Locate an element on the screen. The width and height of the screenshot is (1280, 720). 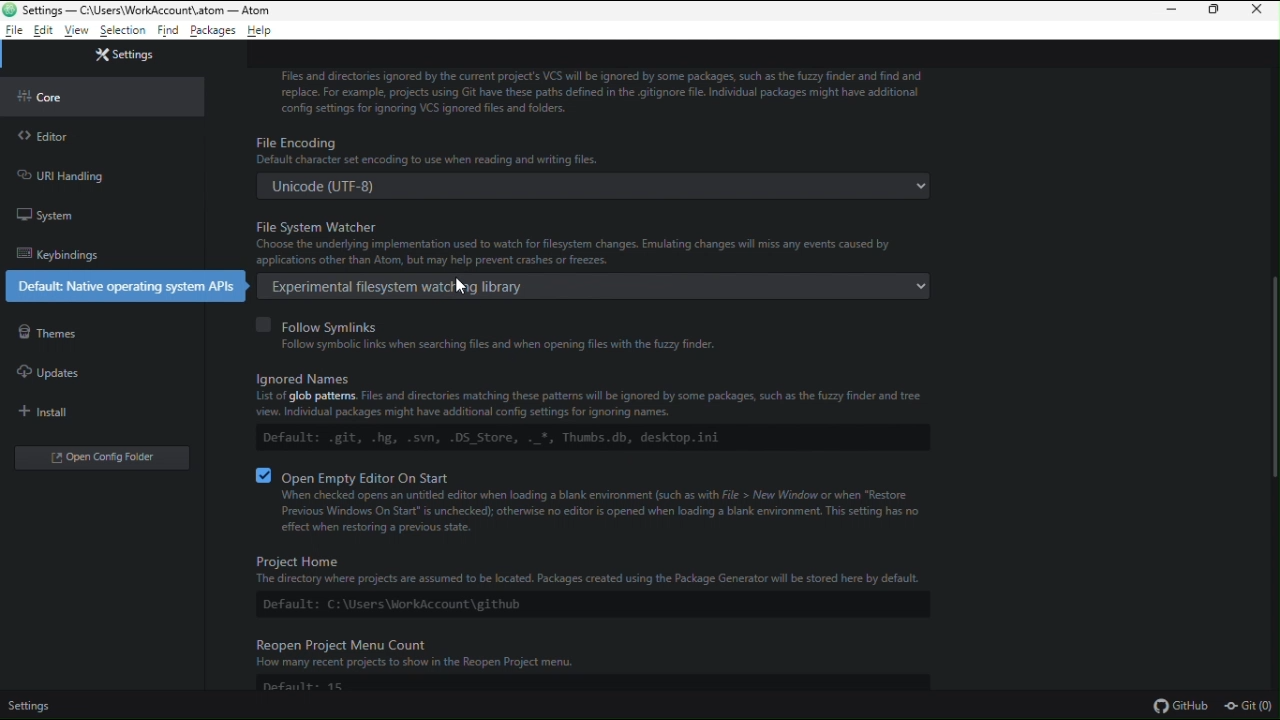
find is located at coordinates (167, 32).